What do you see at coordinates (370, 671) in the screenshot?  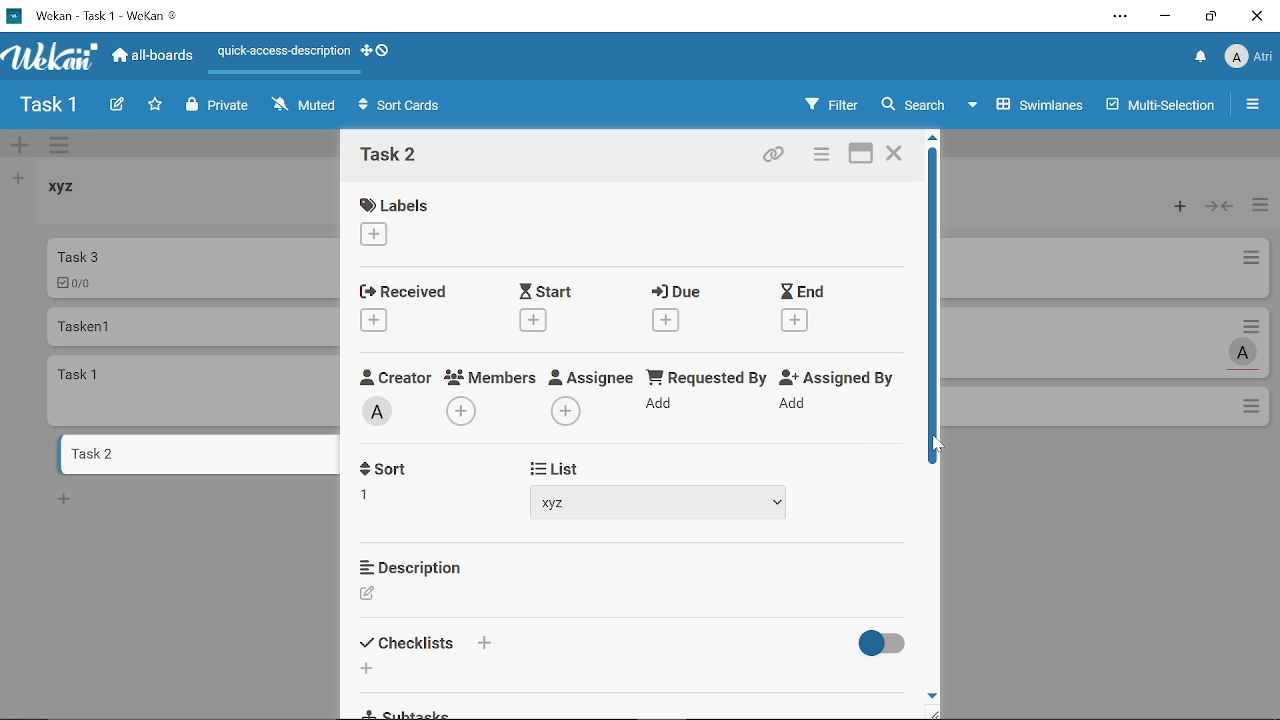 I see `Add checklist item` at bounding box center [370, 671].